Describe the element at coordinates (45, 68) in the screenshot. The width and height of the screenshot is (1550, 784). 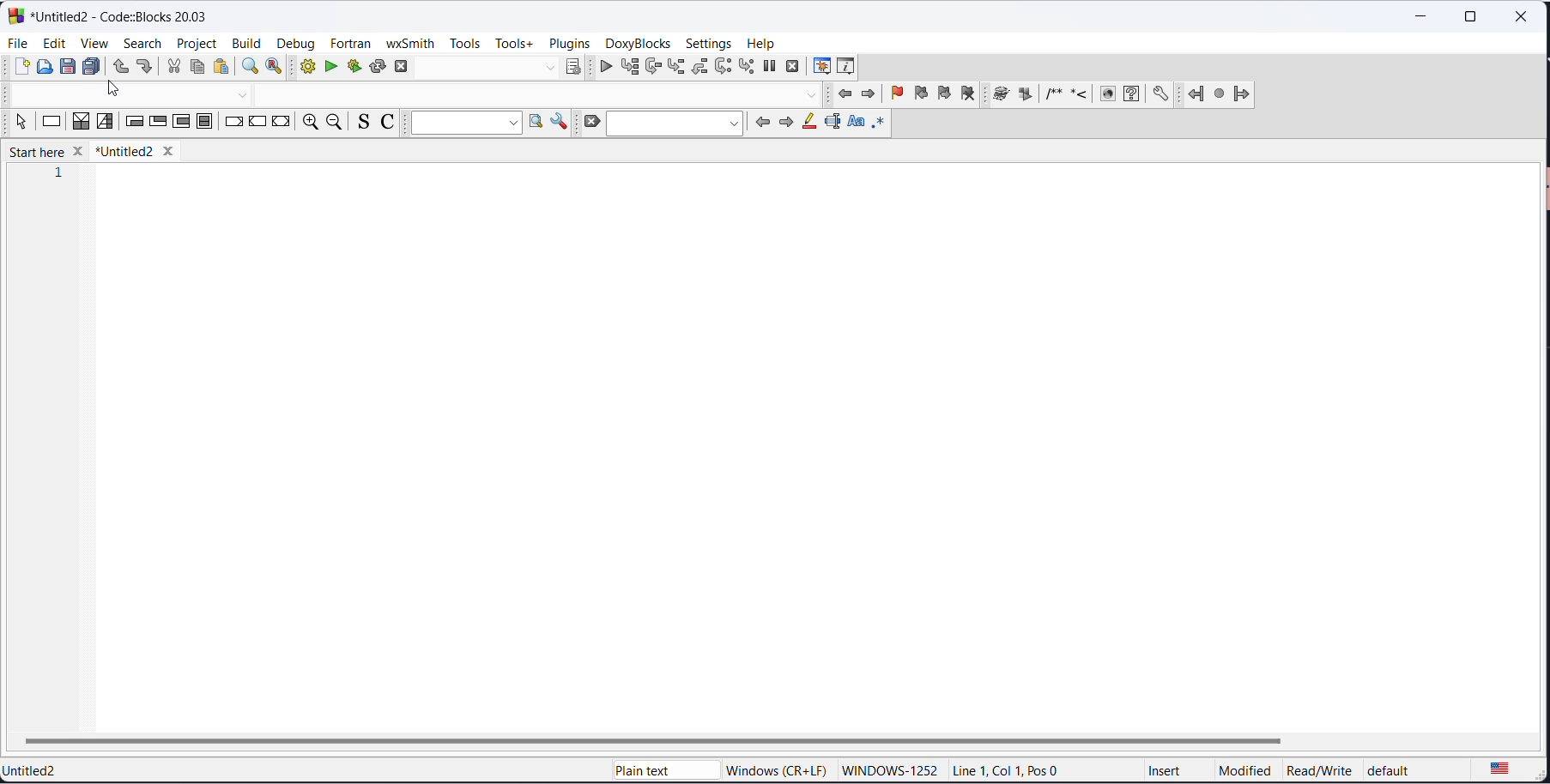
I see `open` at that location.